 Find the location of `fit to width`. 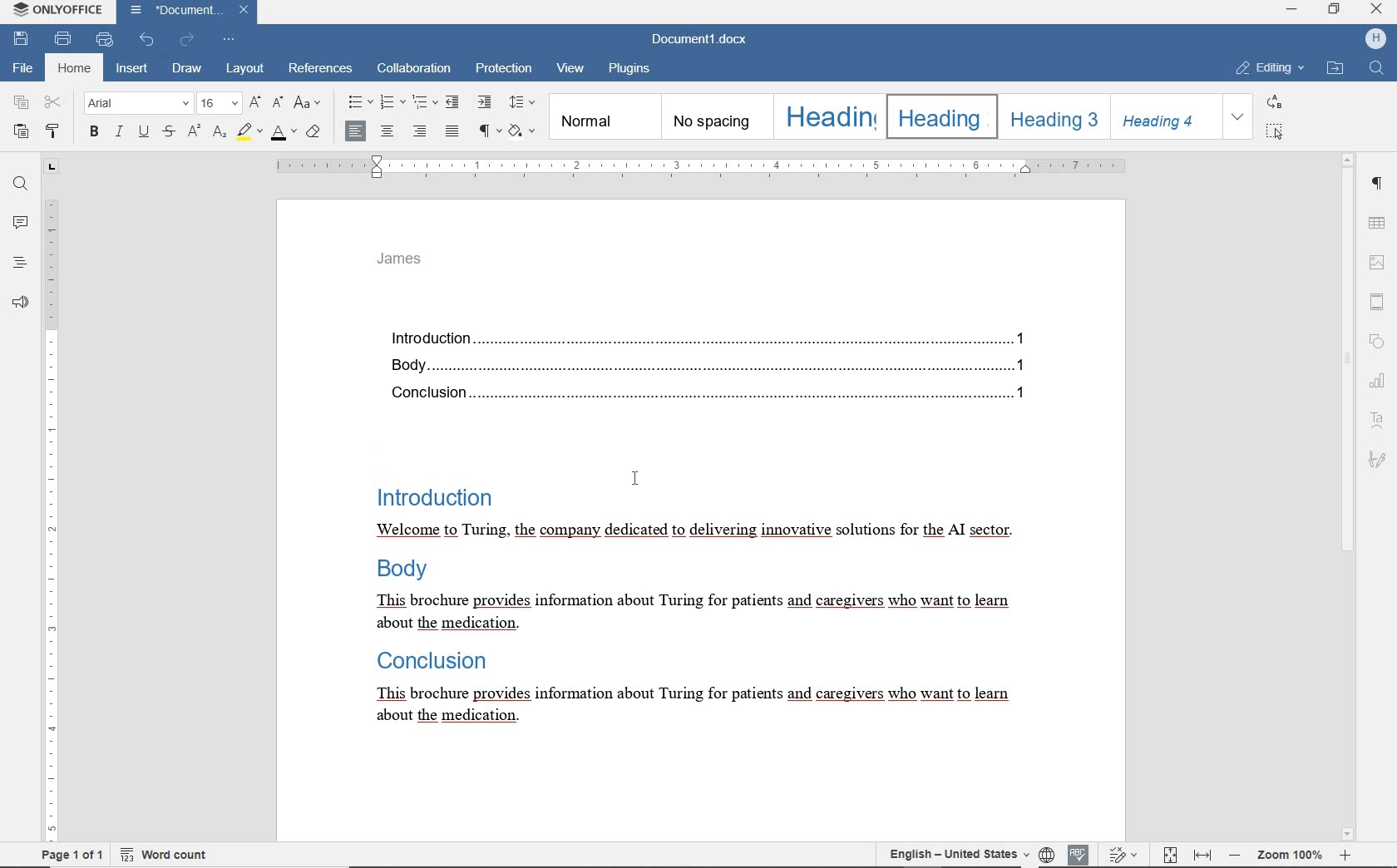

fit to width is located at coordinates (1204, 856).